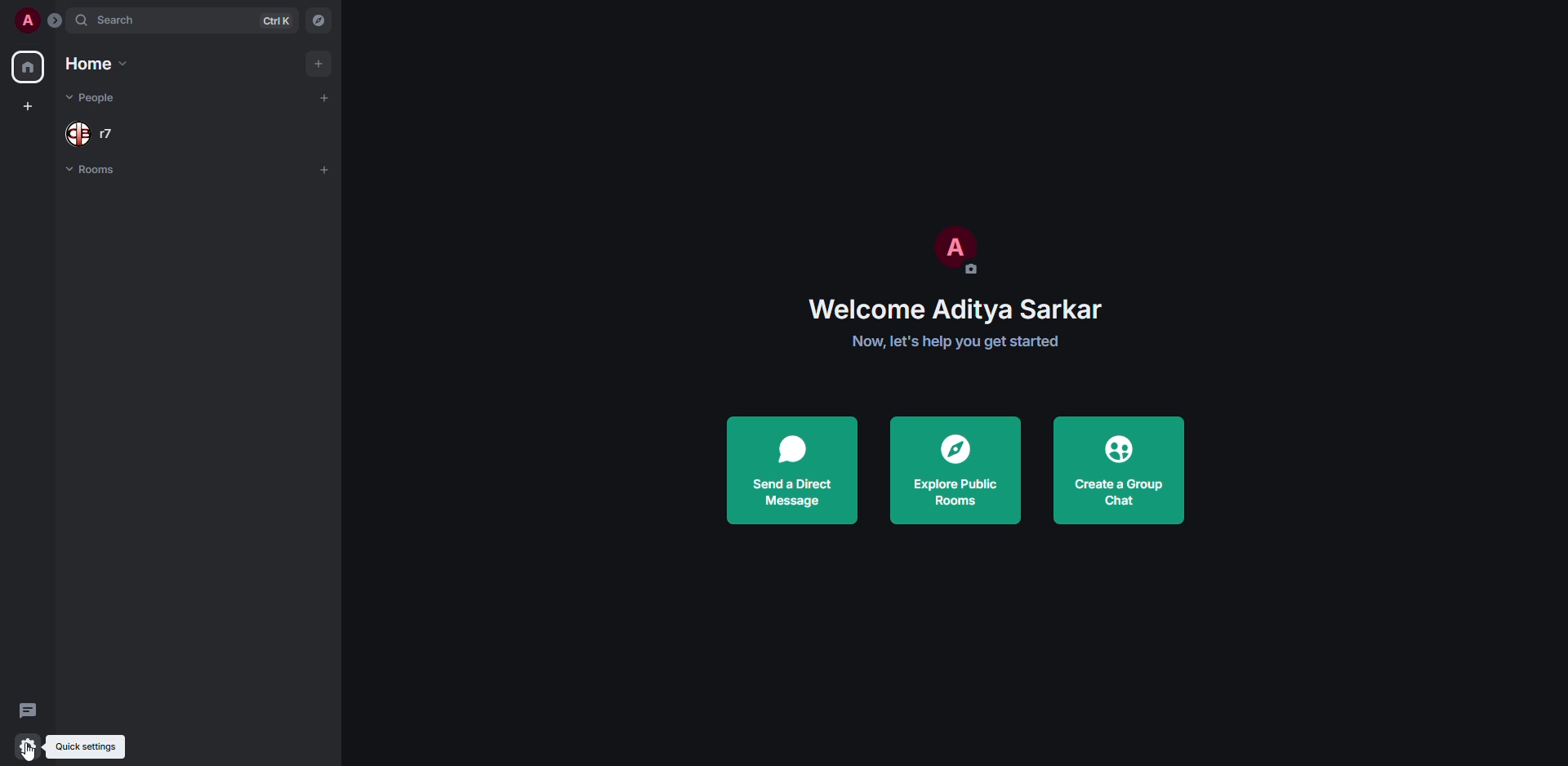 The width and height of the screenshot is (1568, 766). I want to click on home, so click(93, 64).